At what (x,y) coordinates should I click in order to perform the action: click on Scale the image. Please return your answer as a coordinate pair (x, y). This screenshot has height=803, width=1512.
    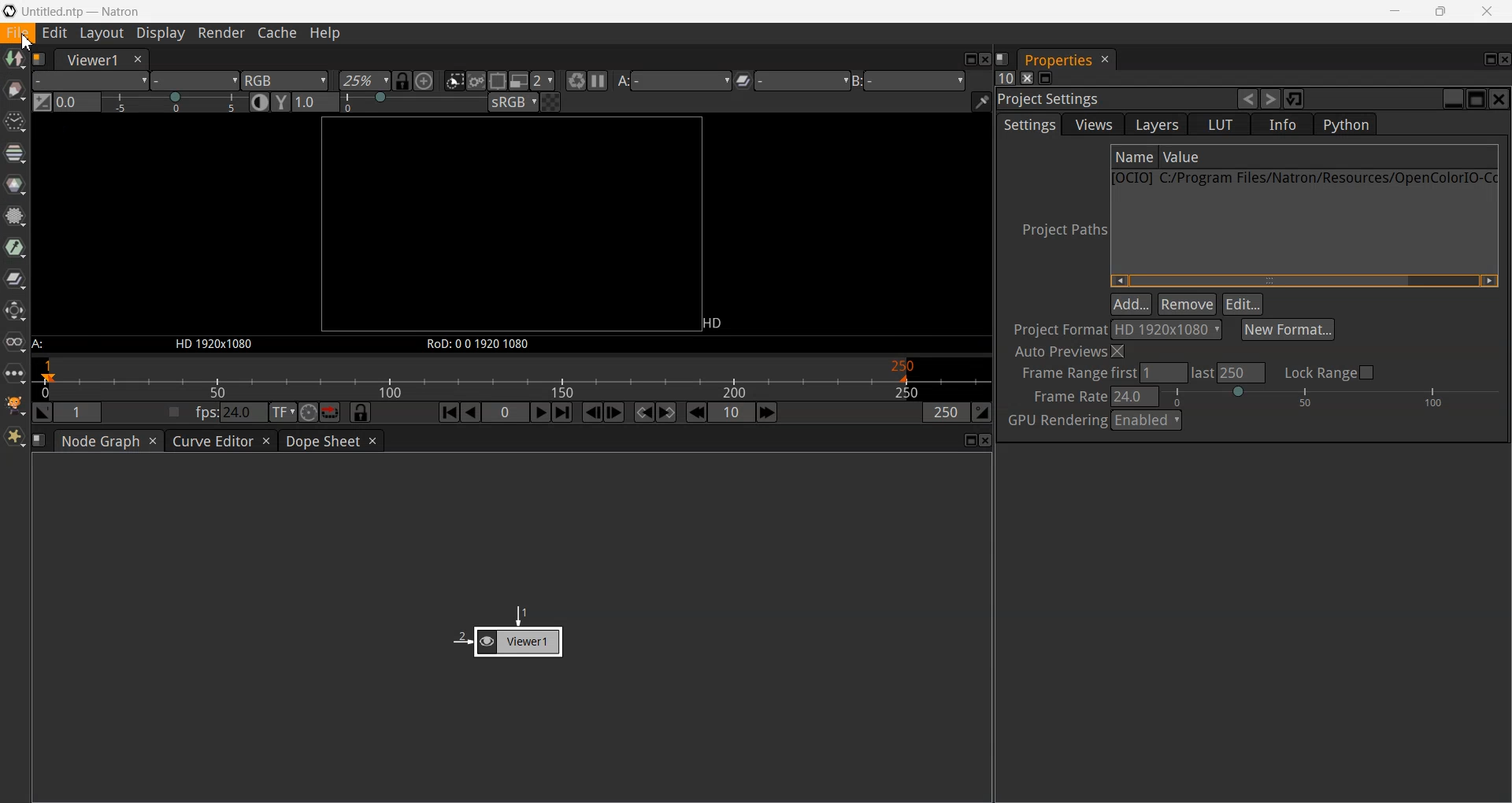
    Looking at the image, I should click on (424, 80).